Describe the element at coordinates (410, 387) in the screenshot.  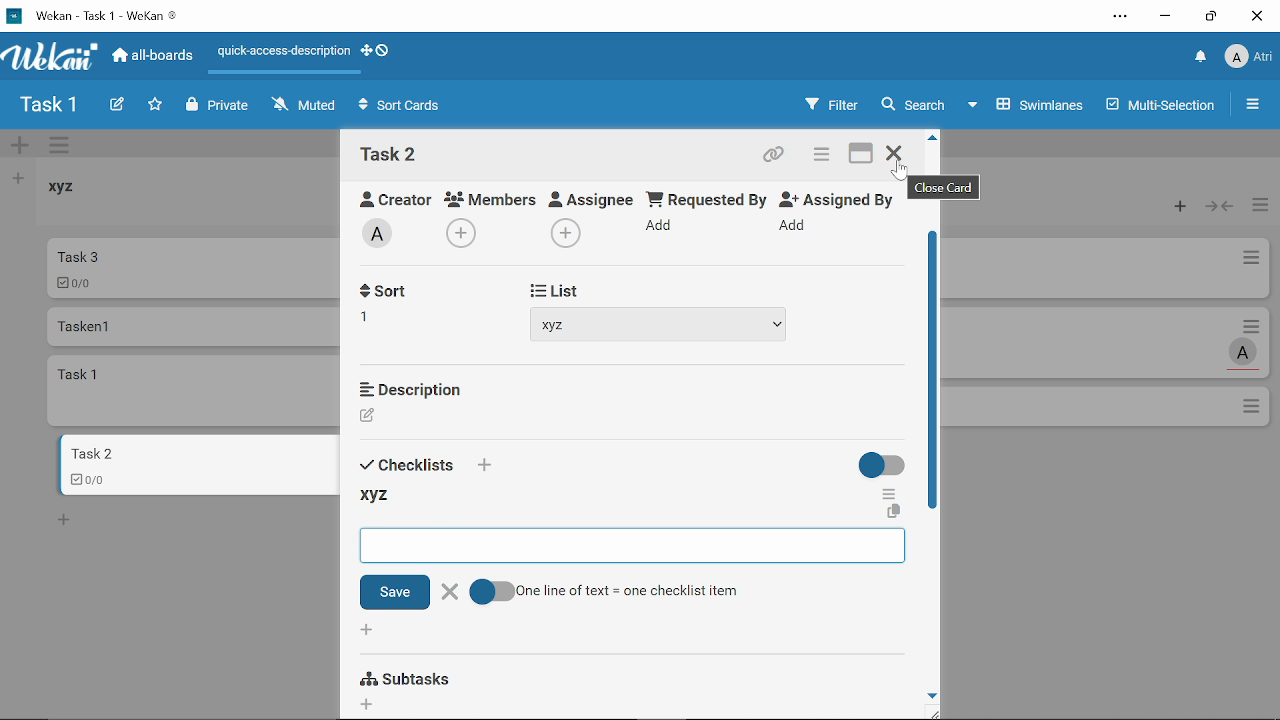
I see `Description` at that location.